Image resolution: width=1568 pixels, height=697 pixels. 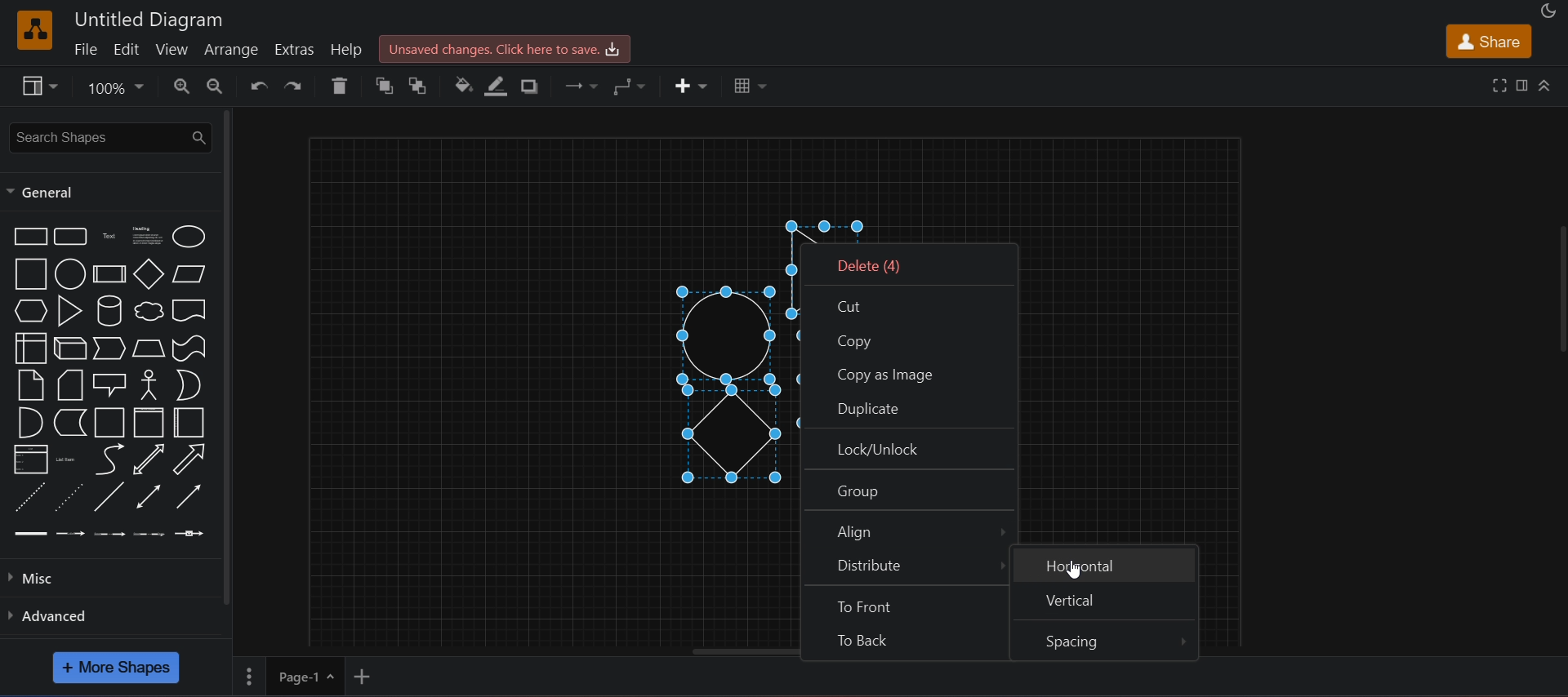 I want to click on bidirectional connector, so click(x=145, y=497).